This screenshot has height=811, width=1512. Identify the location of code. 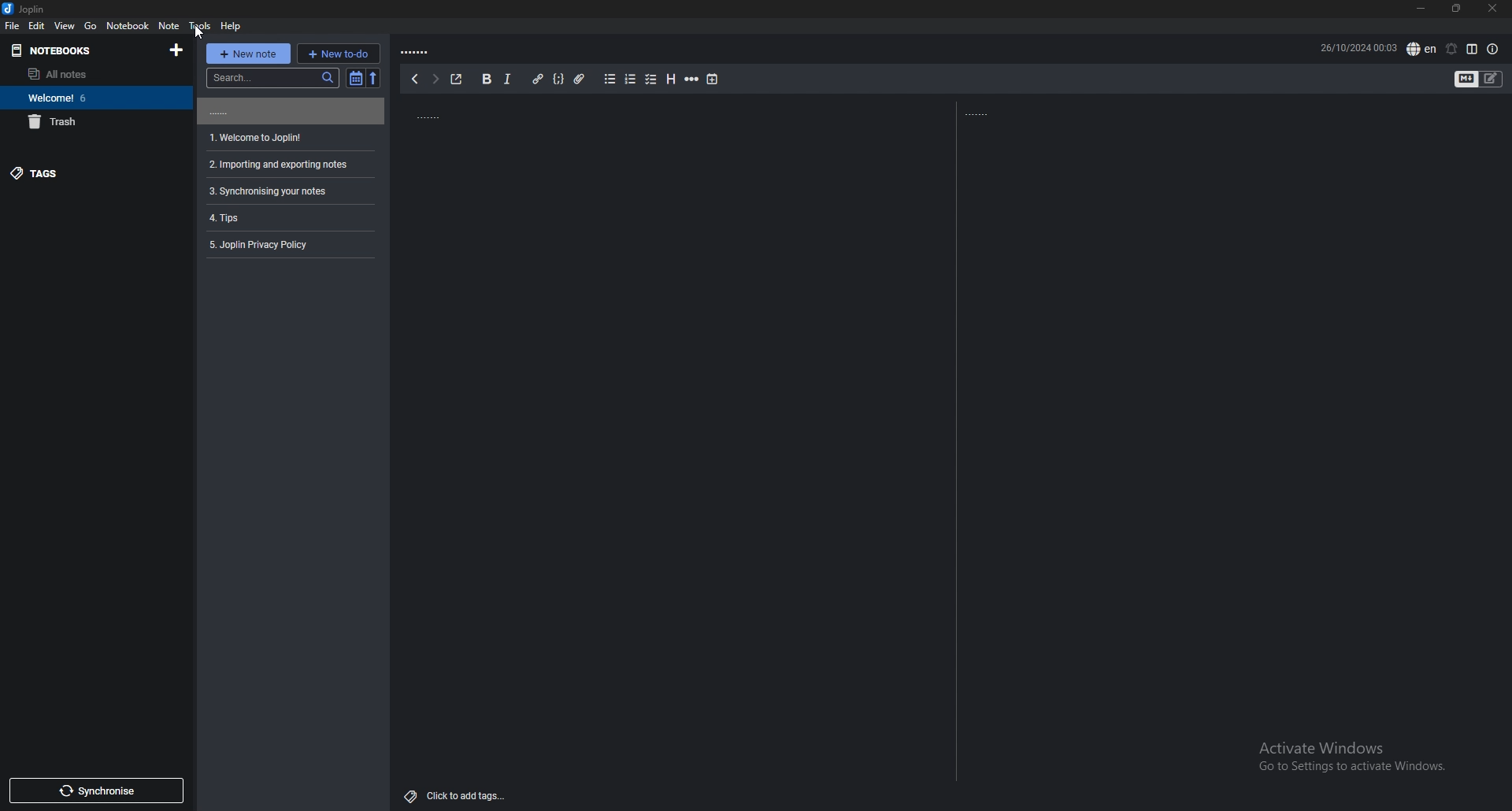
(560, 79).